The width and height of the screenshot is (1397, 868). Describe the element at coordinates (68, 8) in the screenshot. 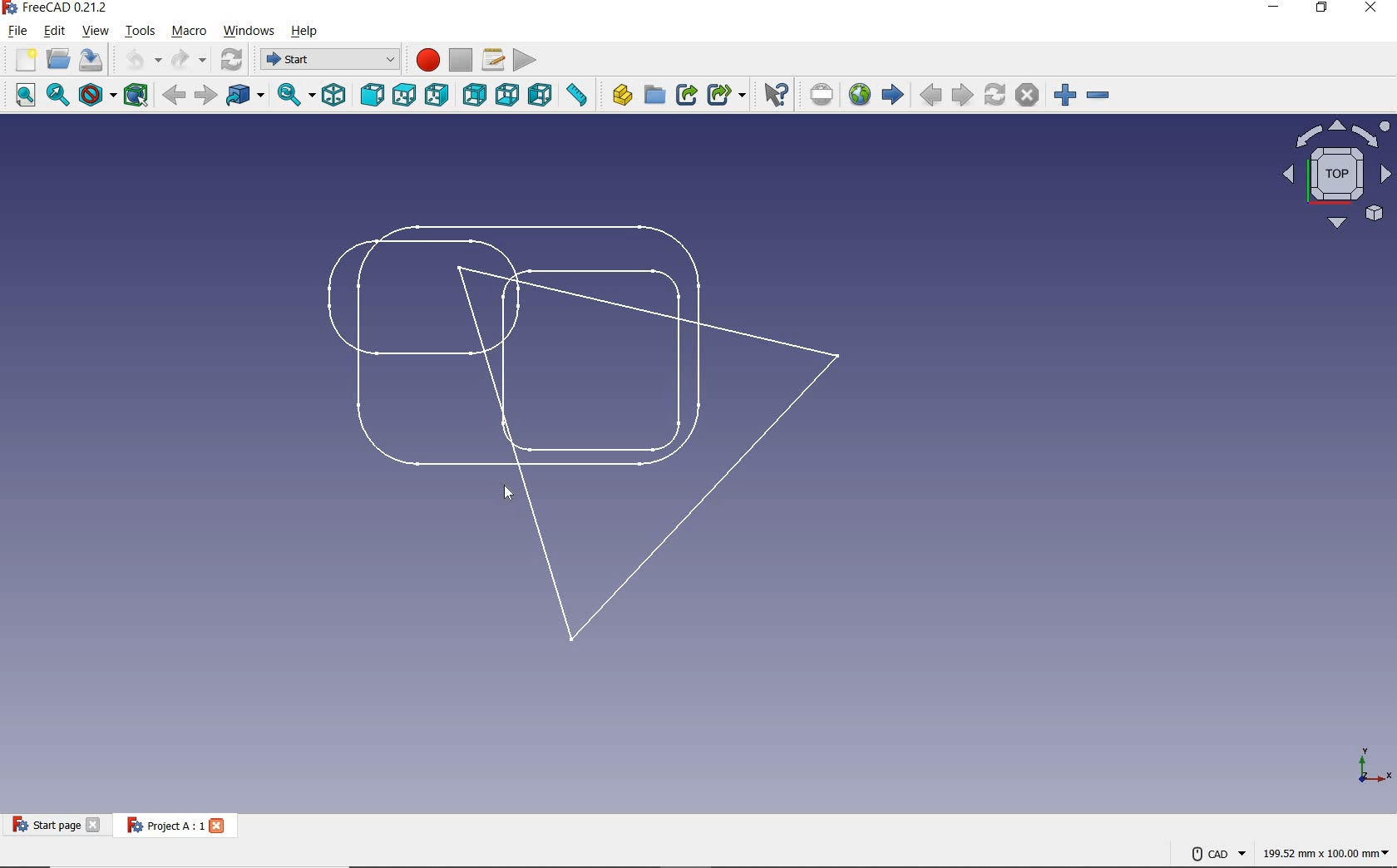

I see `SYSTEM NAME` at that location.